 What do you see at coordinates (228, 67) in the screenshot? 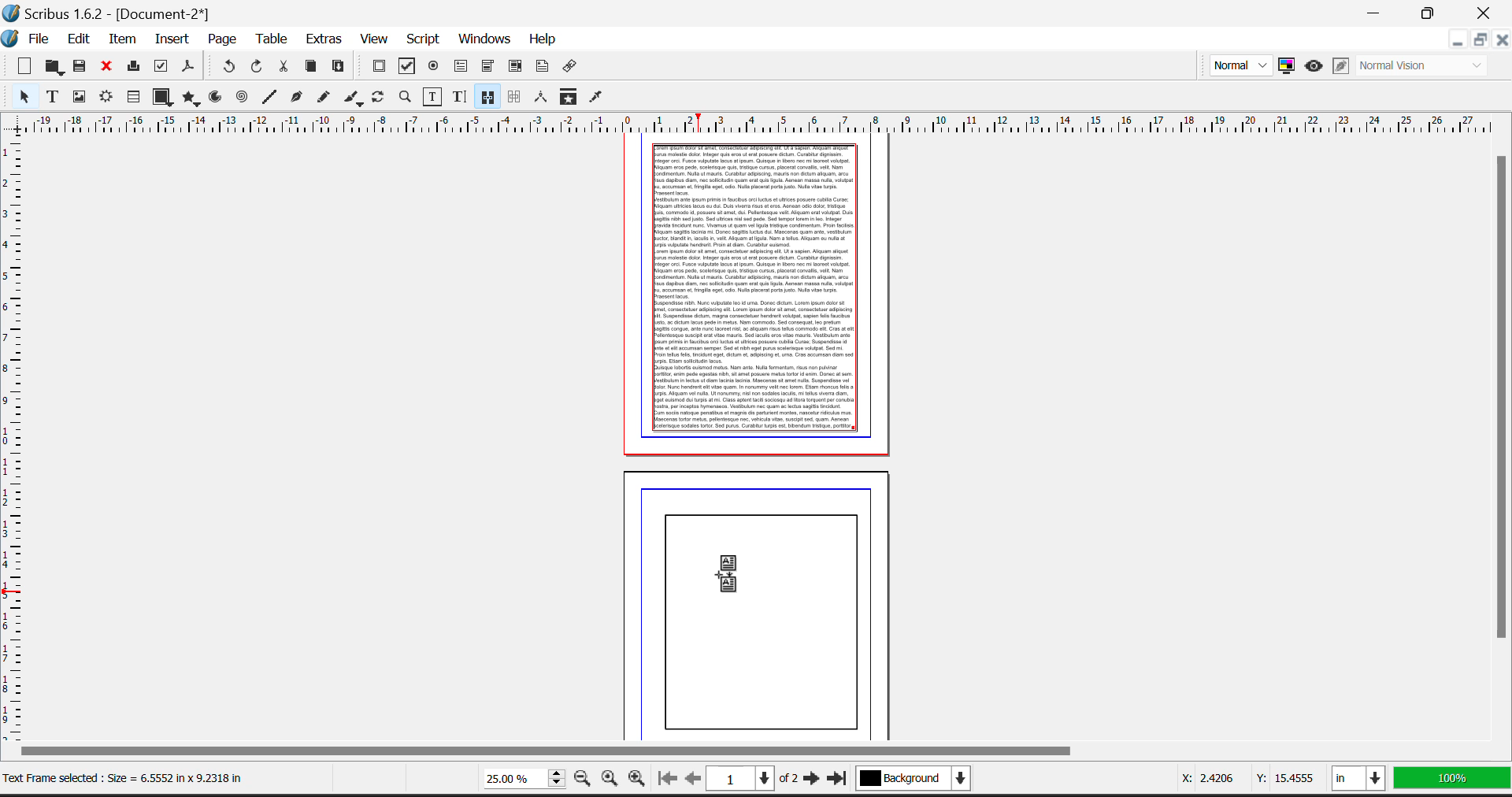
I see `Undo` at bounding box center [228, 67].